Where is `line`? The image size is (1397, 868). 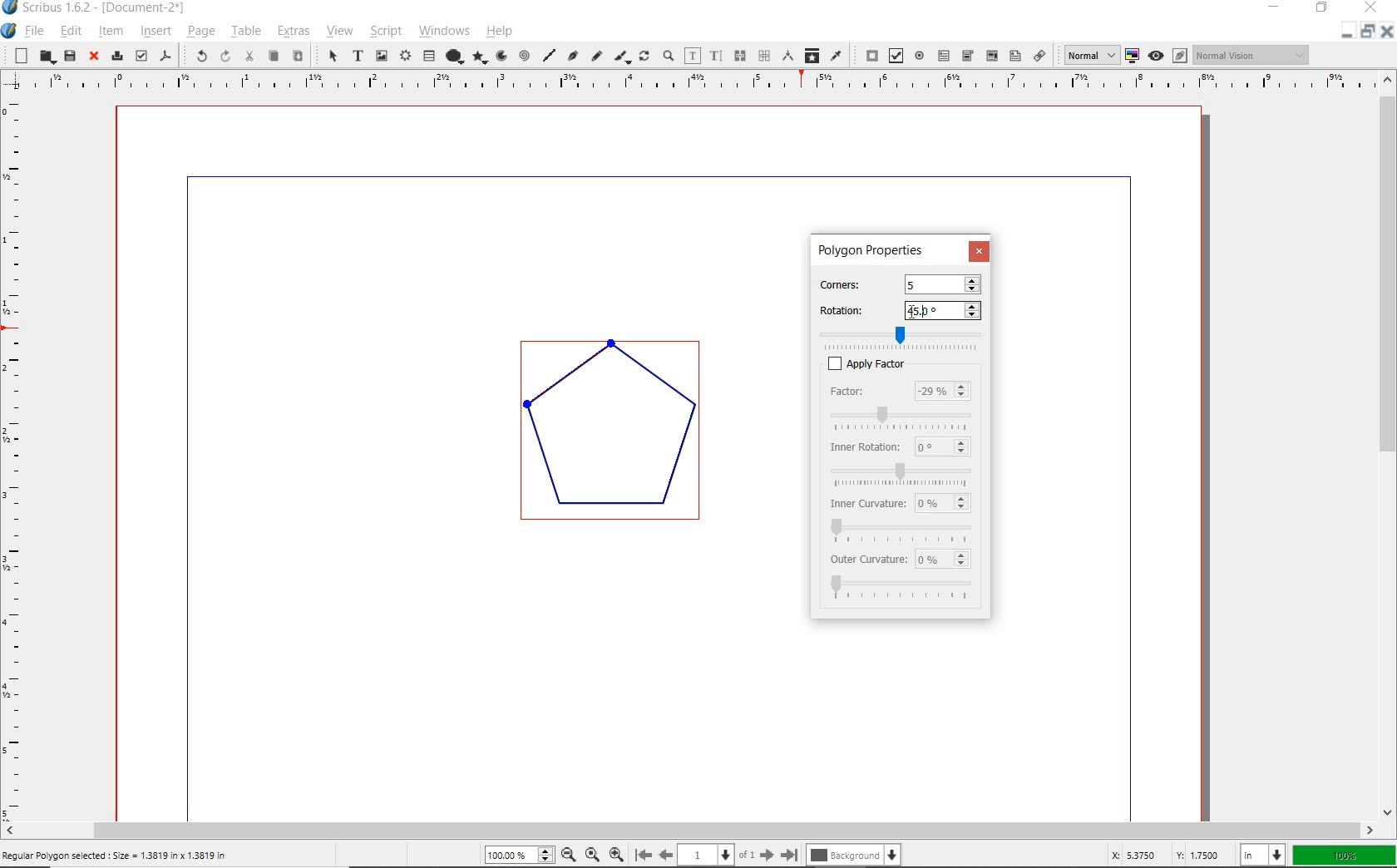
line is located at coordinates (548, 52).